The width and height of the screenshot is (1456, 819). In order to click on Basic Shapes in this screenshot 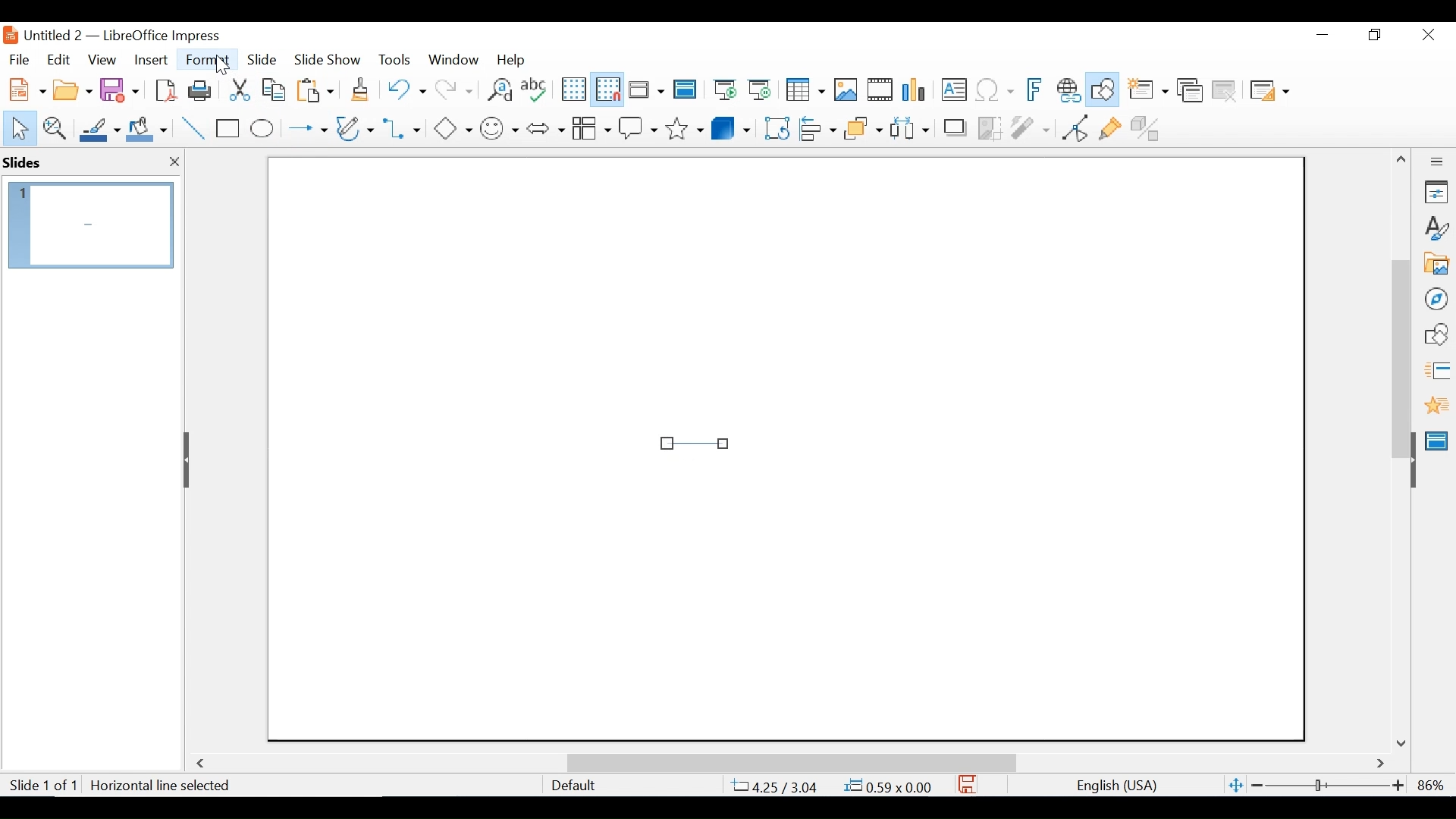, I will do `click(452, 127)`.